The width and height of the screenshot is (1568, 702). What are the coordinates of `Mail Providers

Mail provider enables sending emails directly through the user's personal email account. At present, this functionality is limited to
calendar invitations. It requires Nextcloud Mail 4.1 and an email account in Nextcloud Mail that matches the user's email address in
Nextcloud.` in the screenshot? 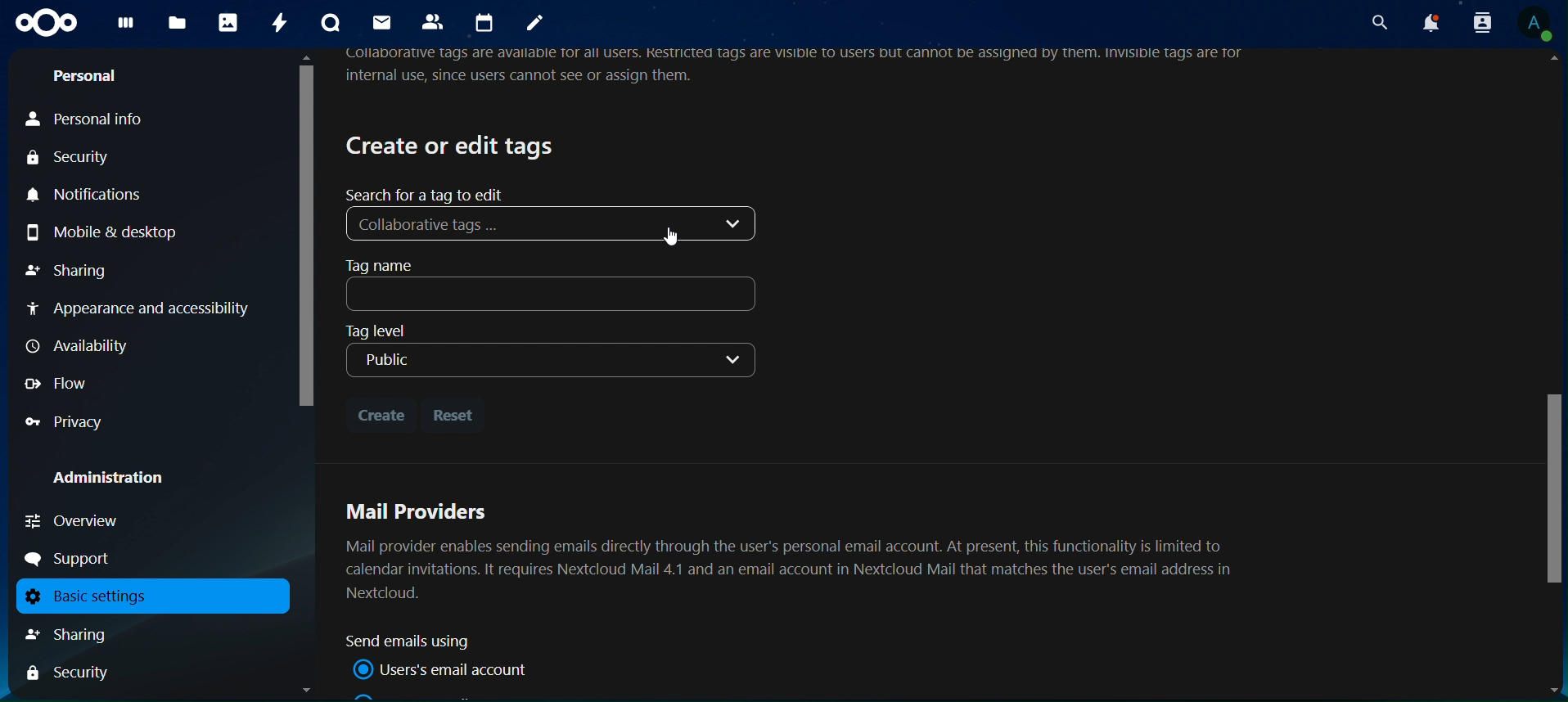 It's located at (795, 549).